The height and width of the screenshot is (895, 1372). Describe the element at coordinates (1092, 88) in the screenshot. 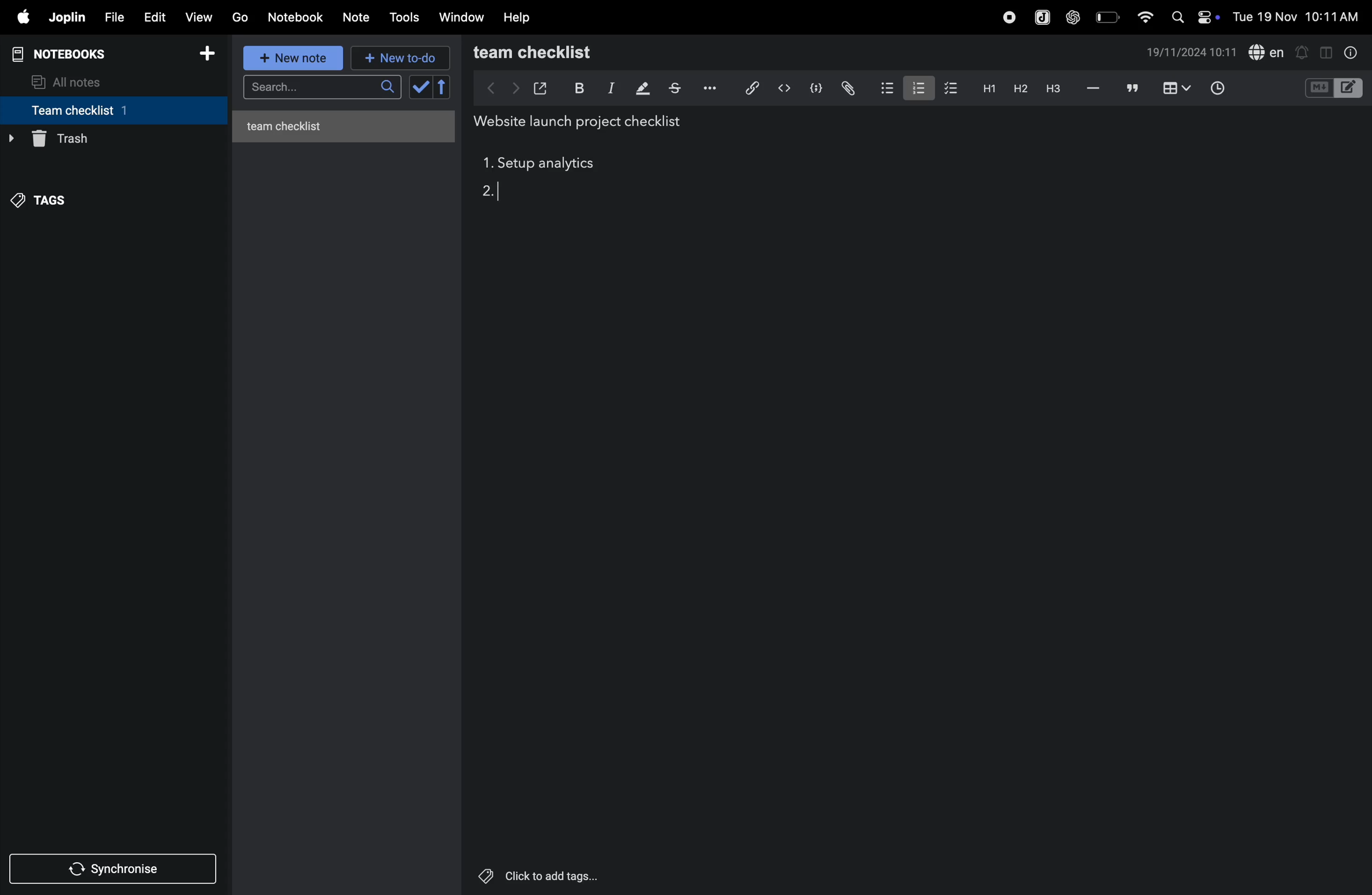

I see `hifen` at that location.